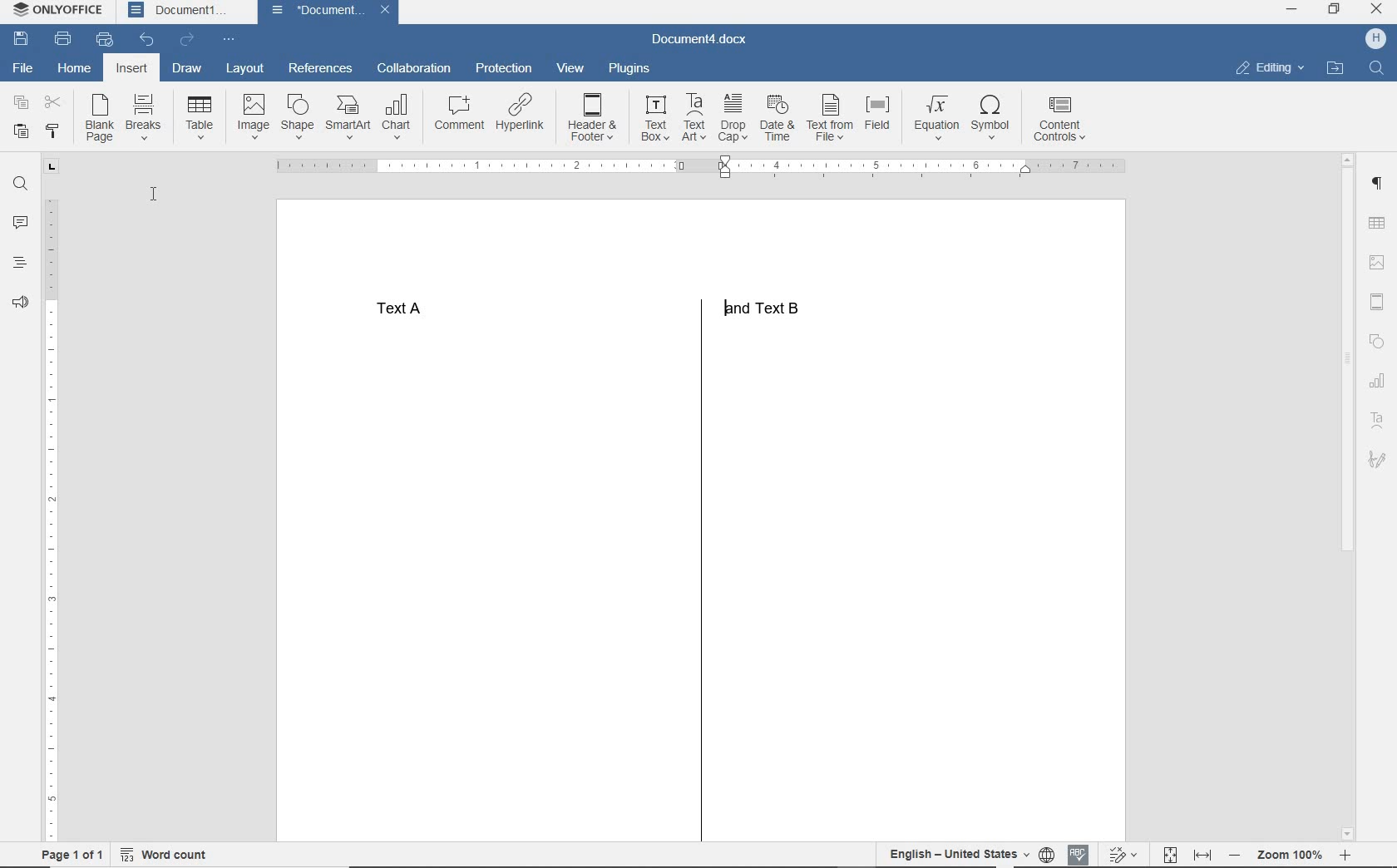 This screenshot has width=1397, height=868. What do you see at coordinates (995, 118) in the screenshot?
I see `SYMBOL` at bounding box center [995, 118].